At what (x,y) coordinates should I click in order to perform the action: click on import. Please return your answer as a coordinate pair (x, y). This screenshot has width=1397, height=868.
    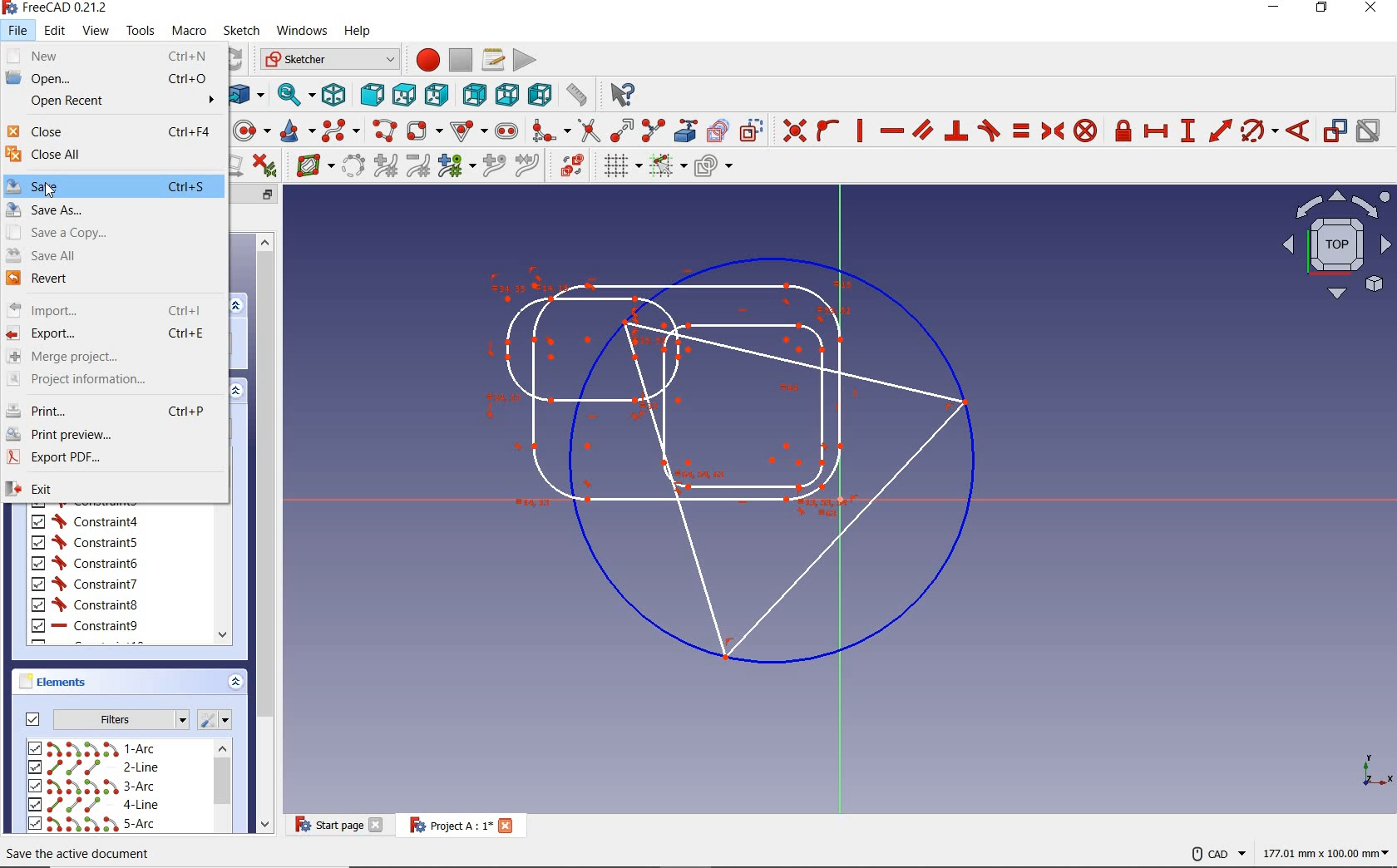
    Looking at the image, I should click on (112, 308).